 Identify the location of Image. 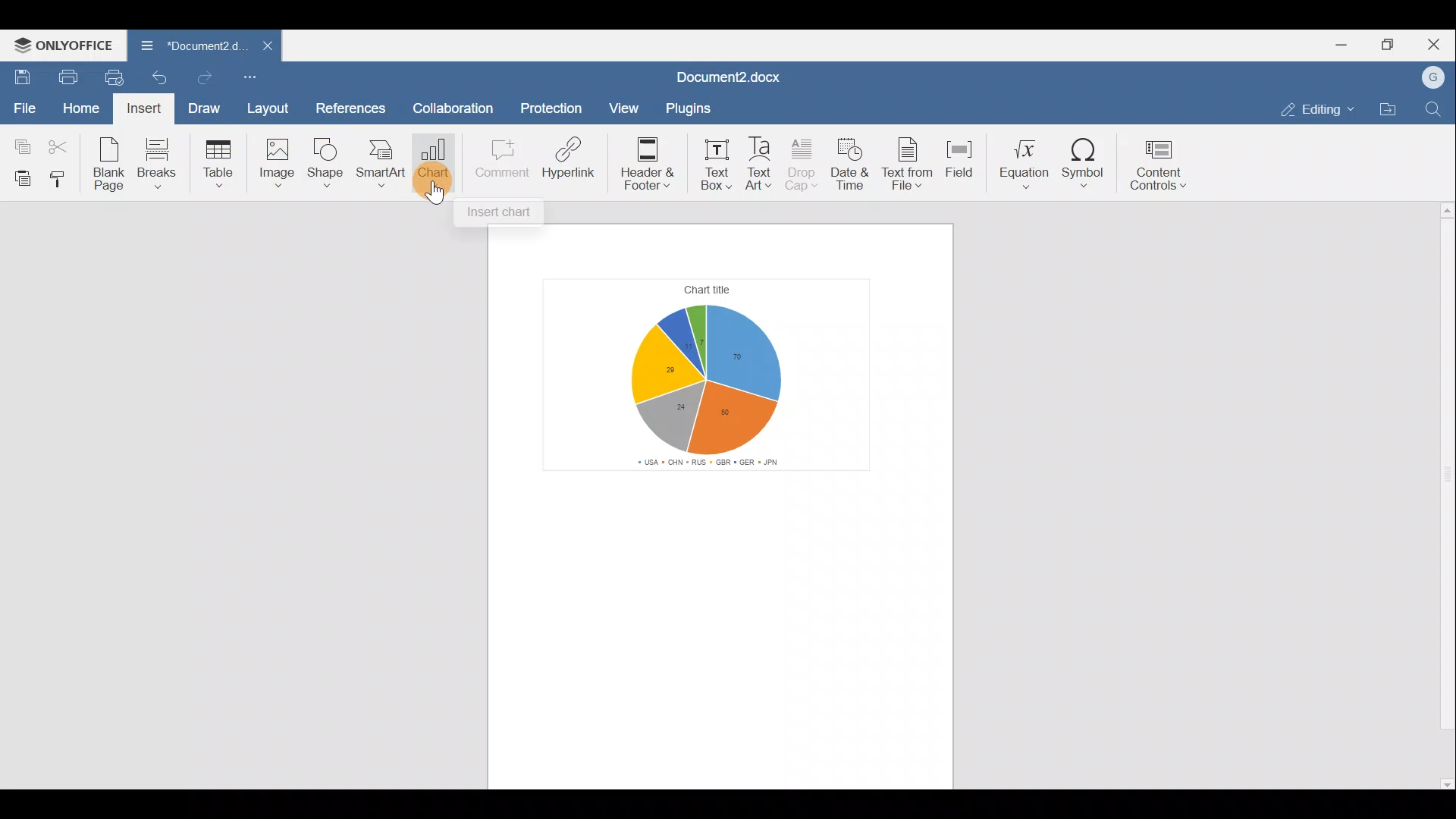
(276, 165).